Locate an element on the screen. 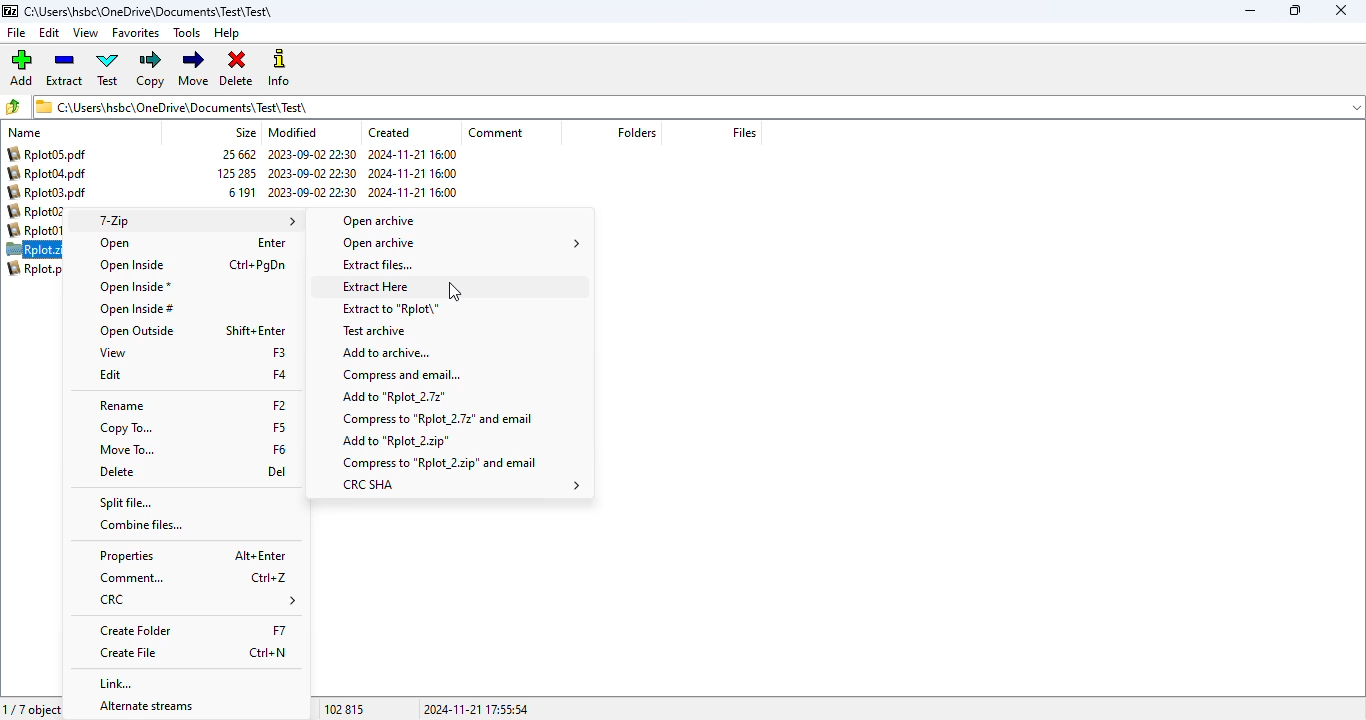  2024-11-21 17:55:54 is located at coordinates (474, 709).